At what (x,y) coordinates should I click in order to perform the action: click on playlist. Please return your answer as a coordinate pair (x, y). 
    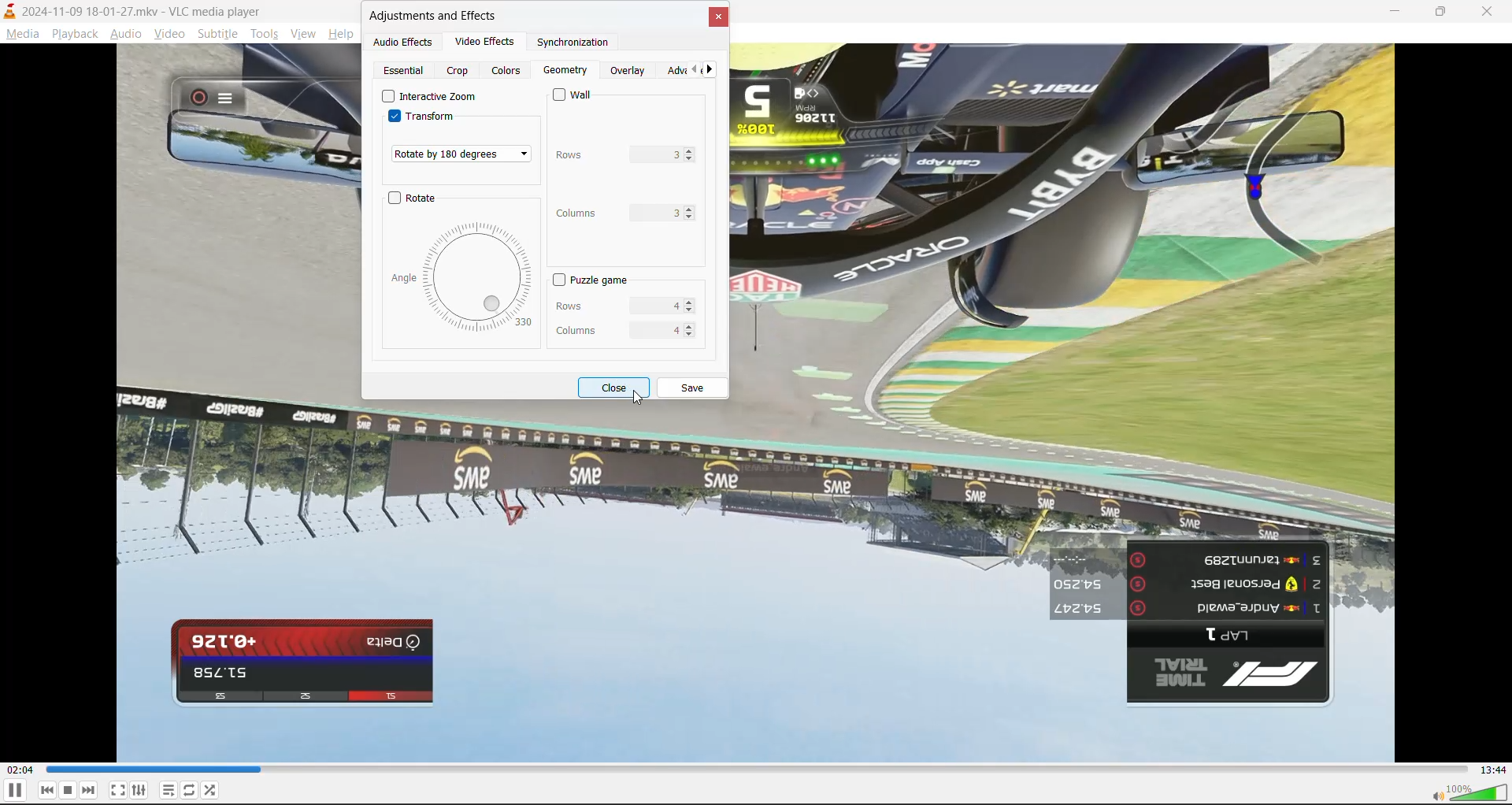
    Looking at the image, I should click on (169, 790).